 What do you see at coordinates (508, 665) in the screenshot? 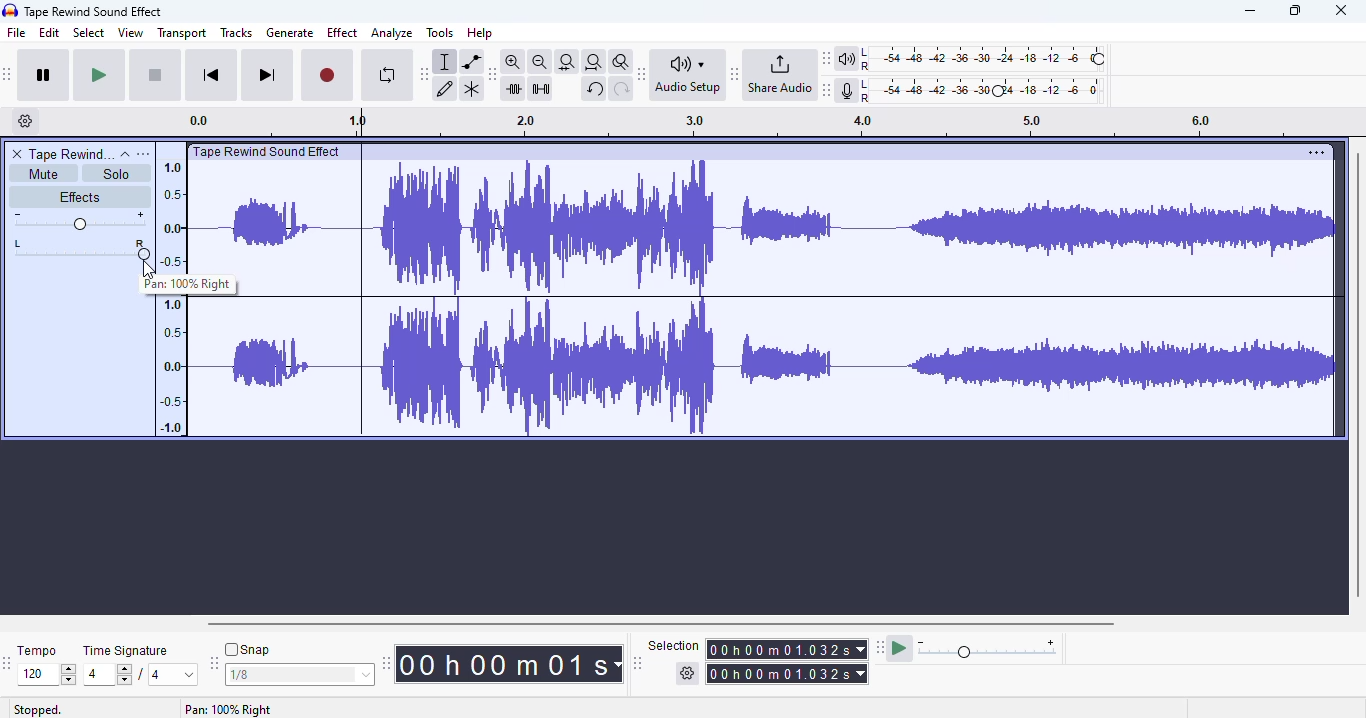
I see `audacity time ` at bounding box center [508, 665].